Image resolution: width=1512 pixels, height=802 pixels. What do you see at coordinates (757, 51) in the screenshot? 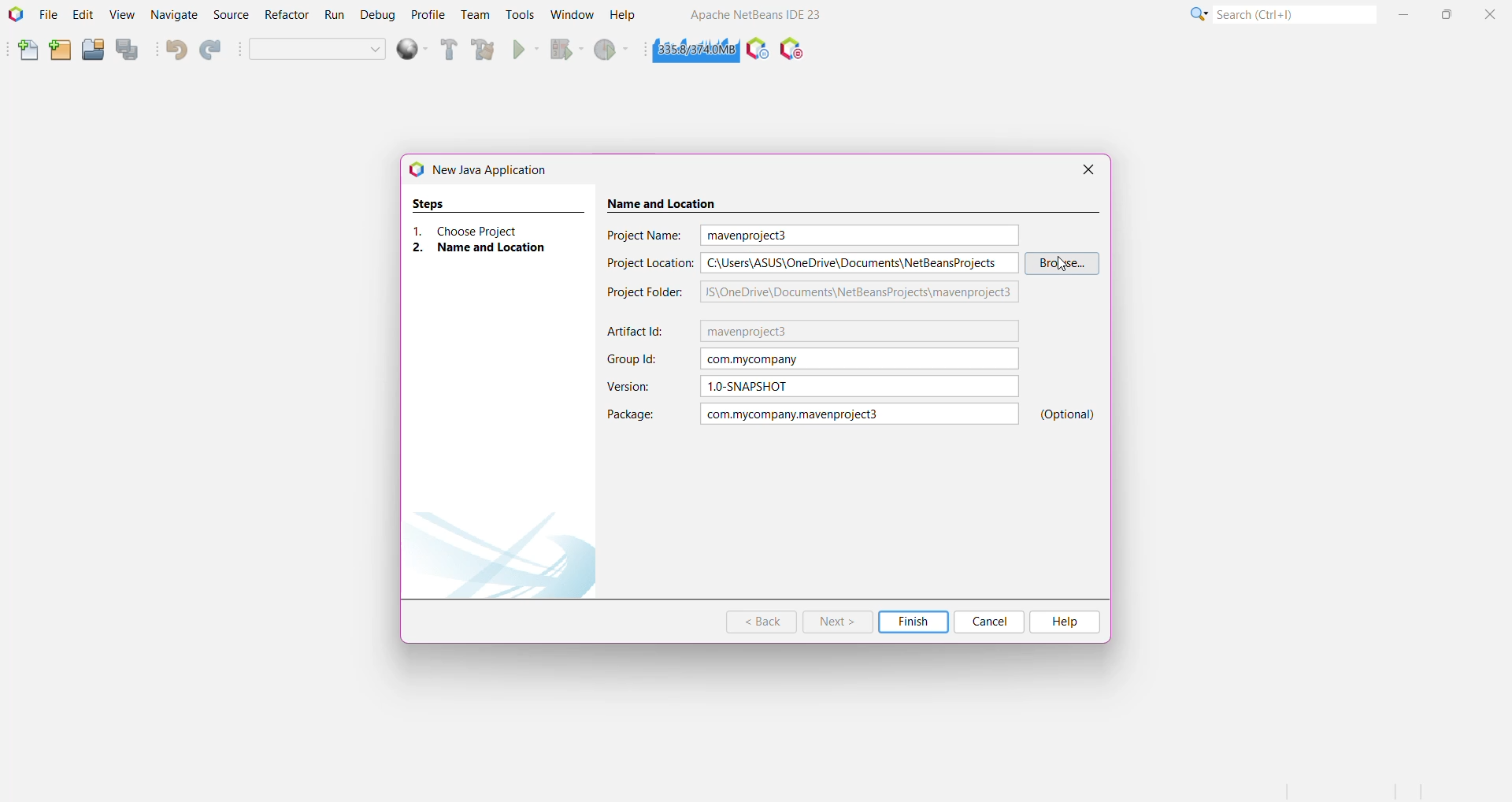
I see `Profile the IDE` at bounding box center [757, 51].